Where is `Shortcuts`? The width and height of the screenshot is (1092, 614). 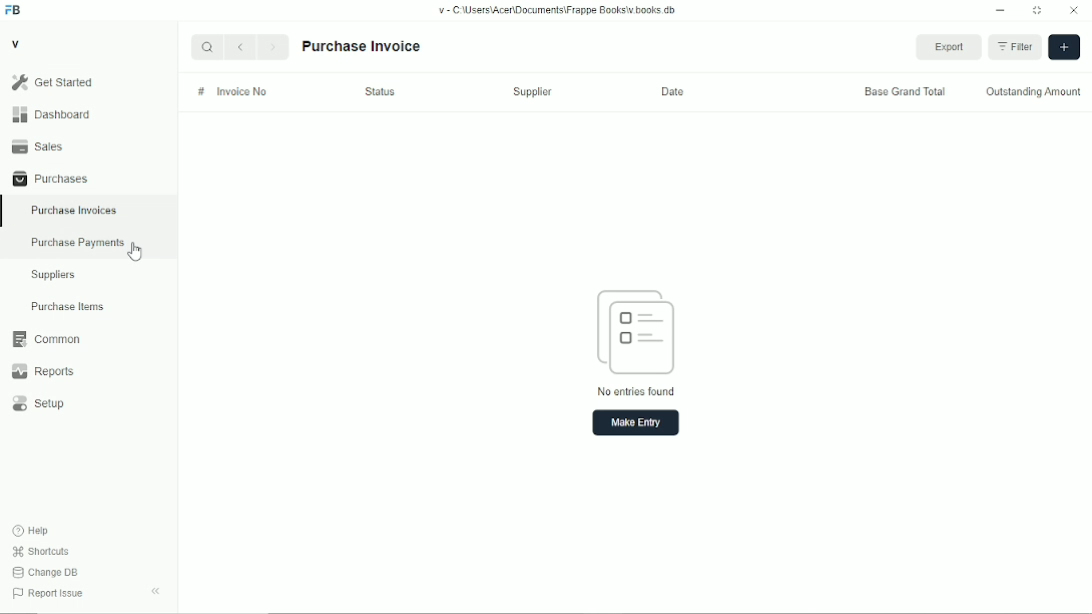 Shortcuts is located at coordinates (41, 552).